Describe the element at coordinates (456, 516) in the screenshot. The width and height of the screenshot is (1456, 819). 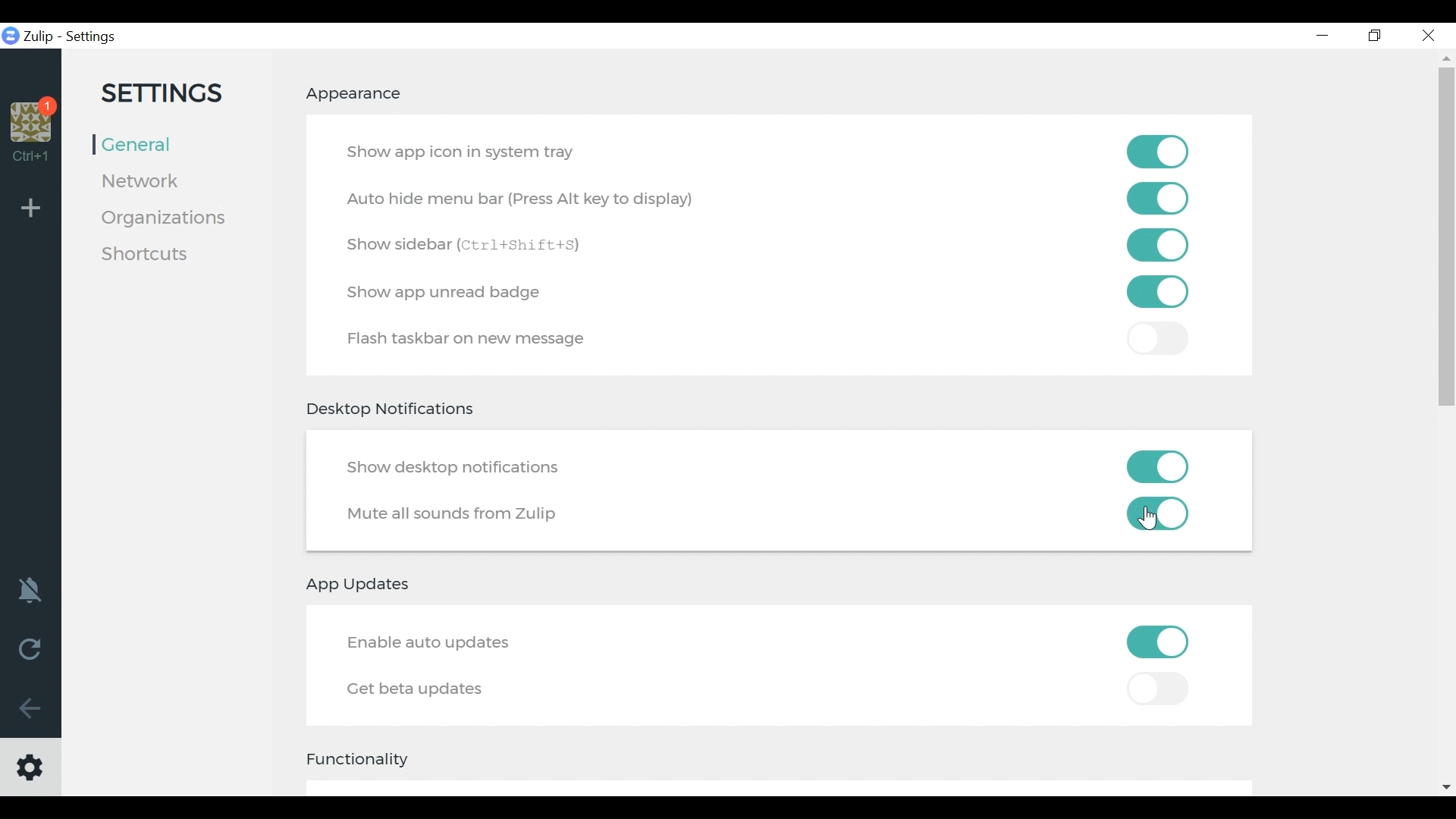
I see `Mute all sounds from Zulip` at that location.